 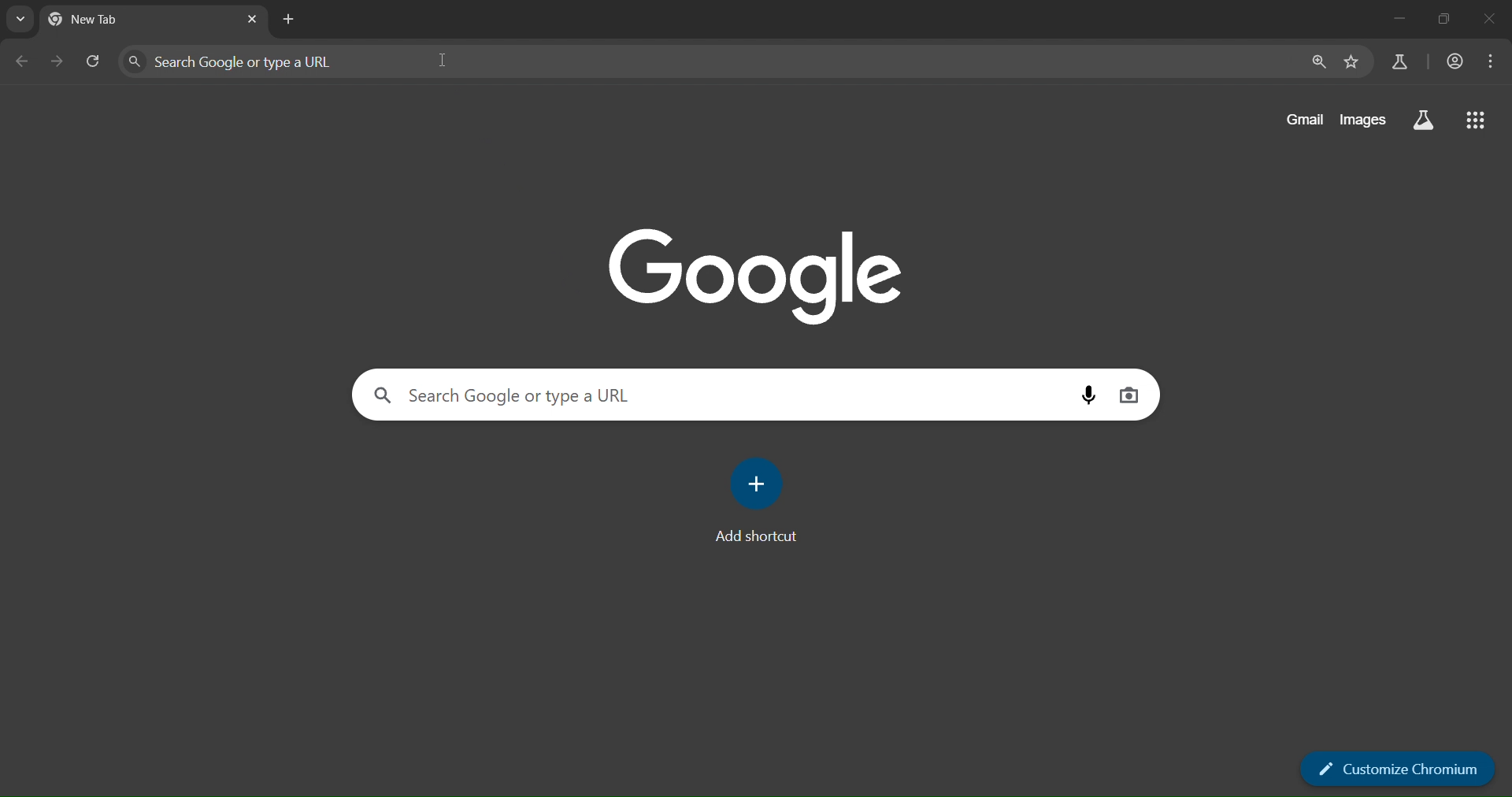 What do you see at coordinates (547, 395) in the screenshot?
I see `search panel` at bounding box center [547, 395].